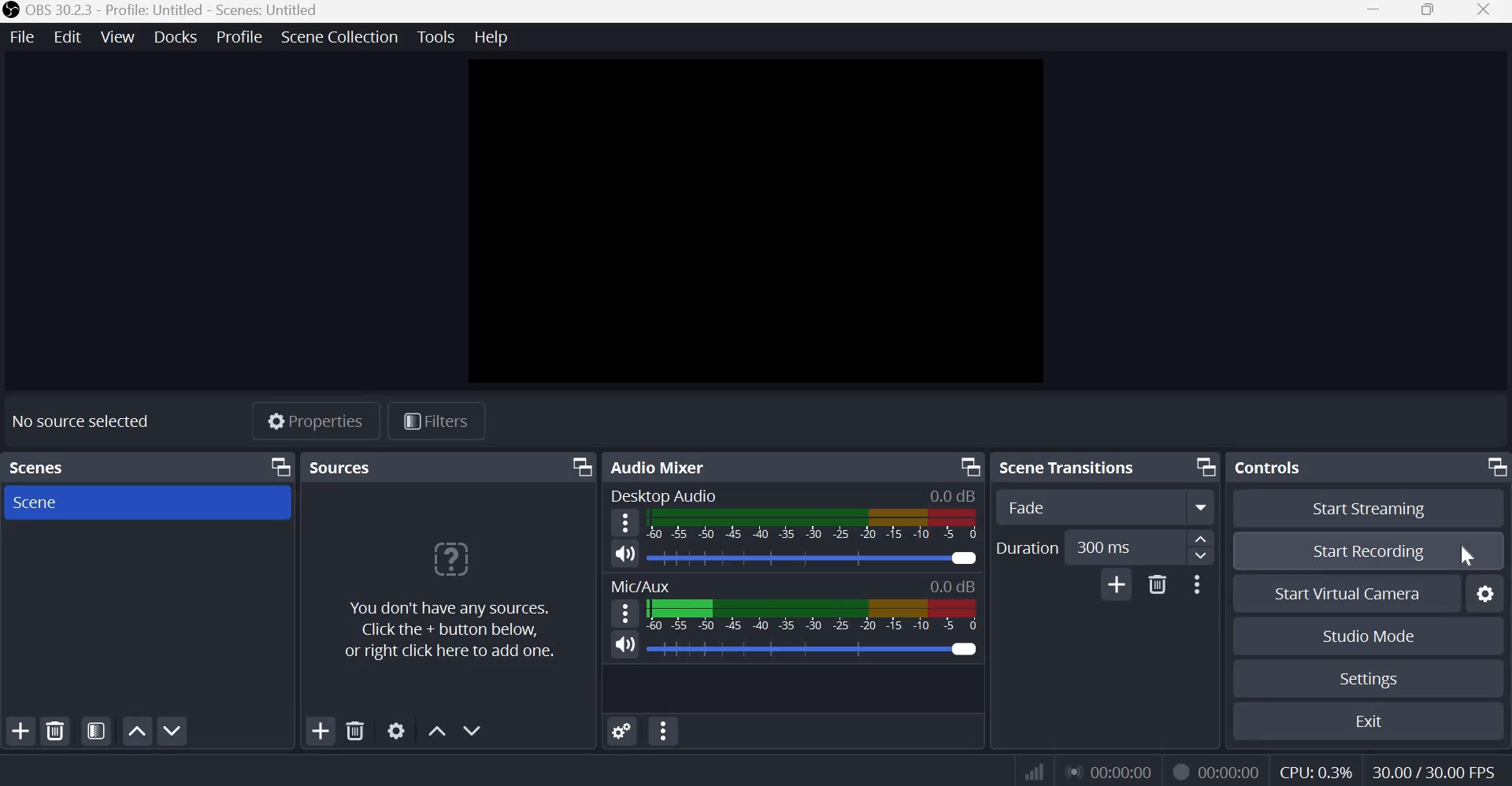 This screenshot has width=1512, height=786. Describe the element at coordinates (83, 422) in the screenshot. I see `No source selected` at that location.